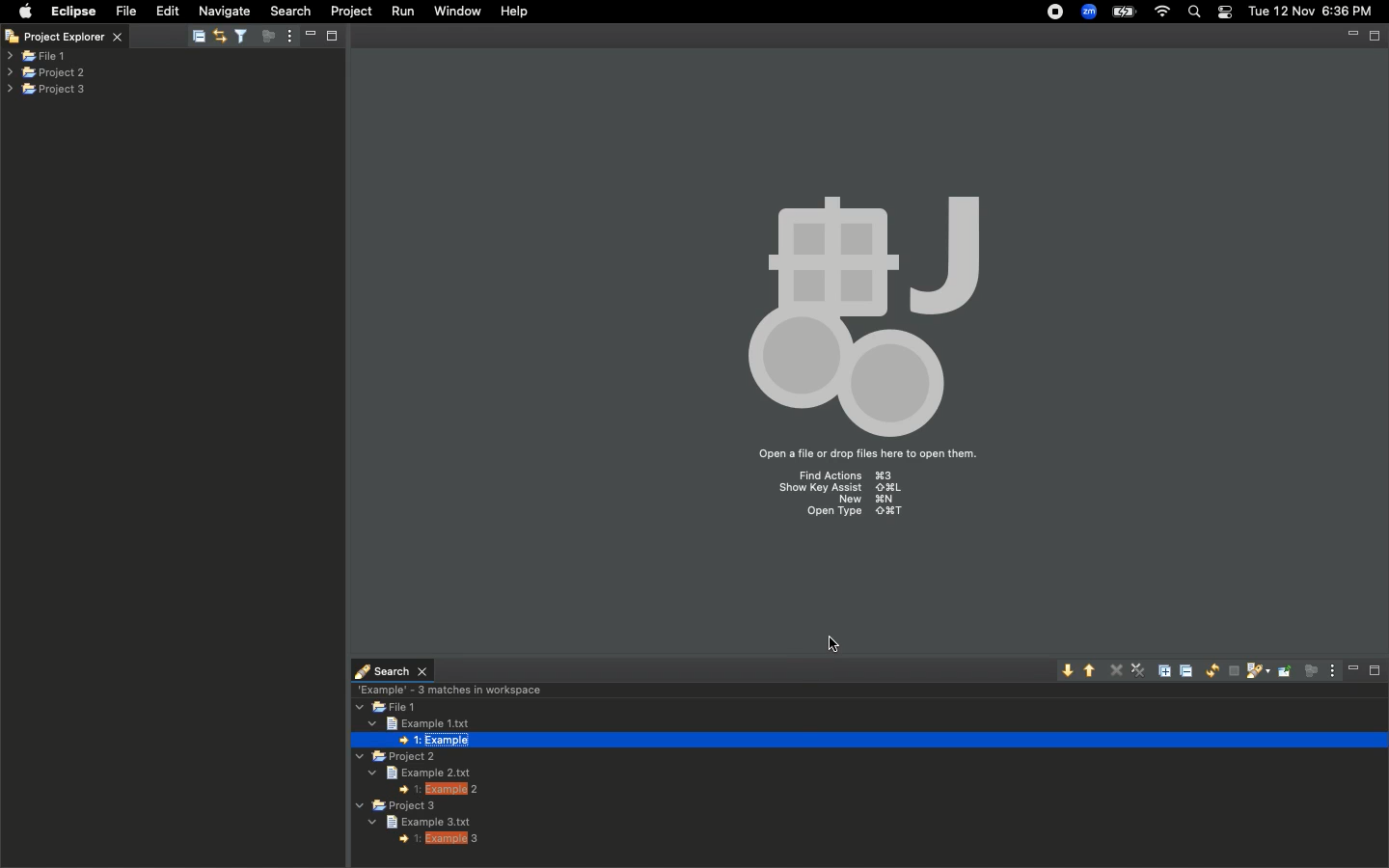 This screenshot has height=868, width=1389. Describe the element at coordinates (1195, 14) in the screenshot. I see `Search` at that location.